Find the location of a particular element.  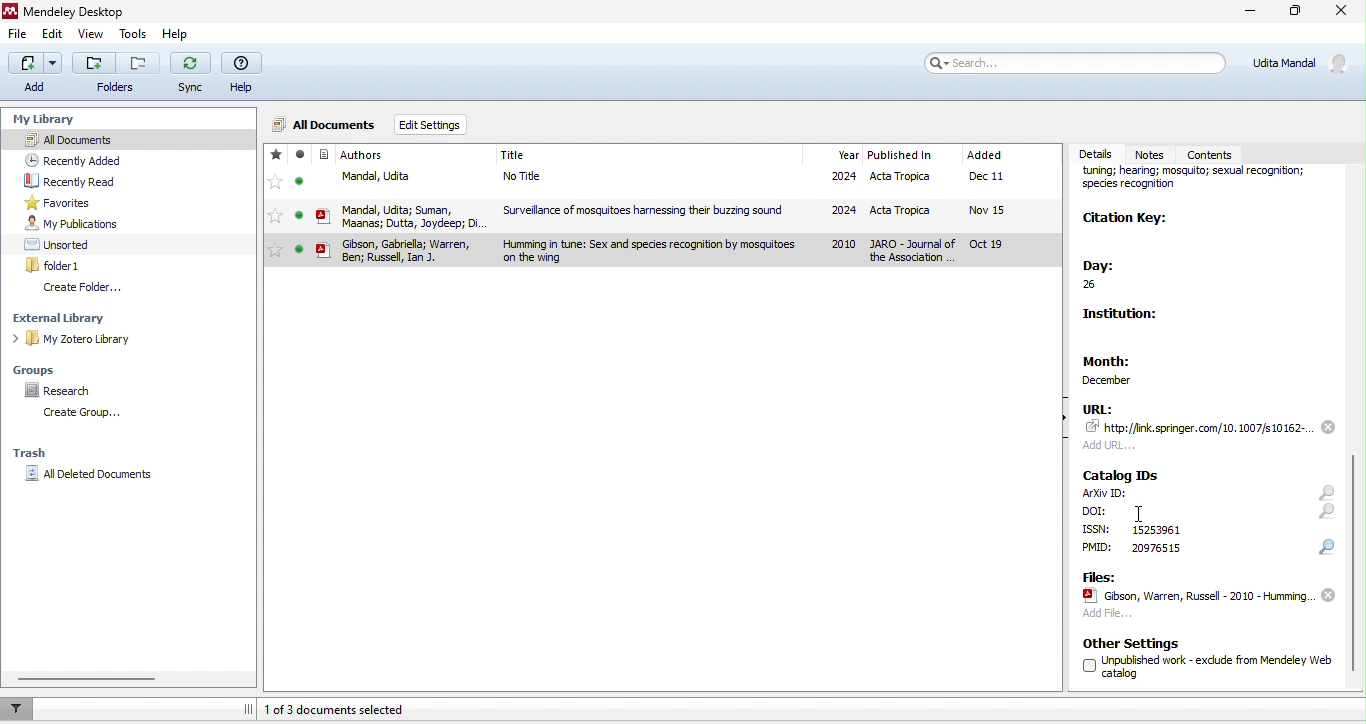

maximize is located at coordinates (1295, 14).